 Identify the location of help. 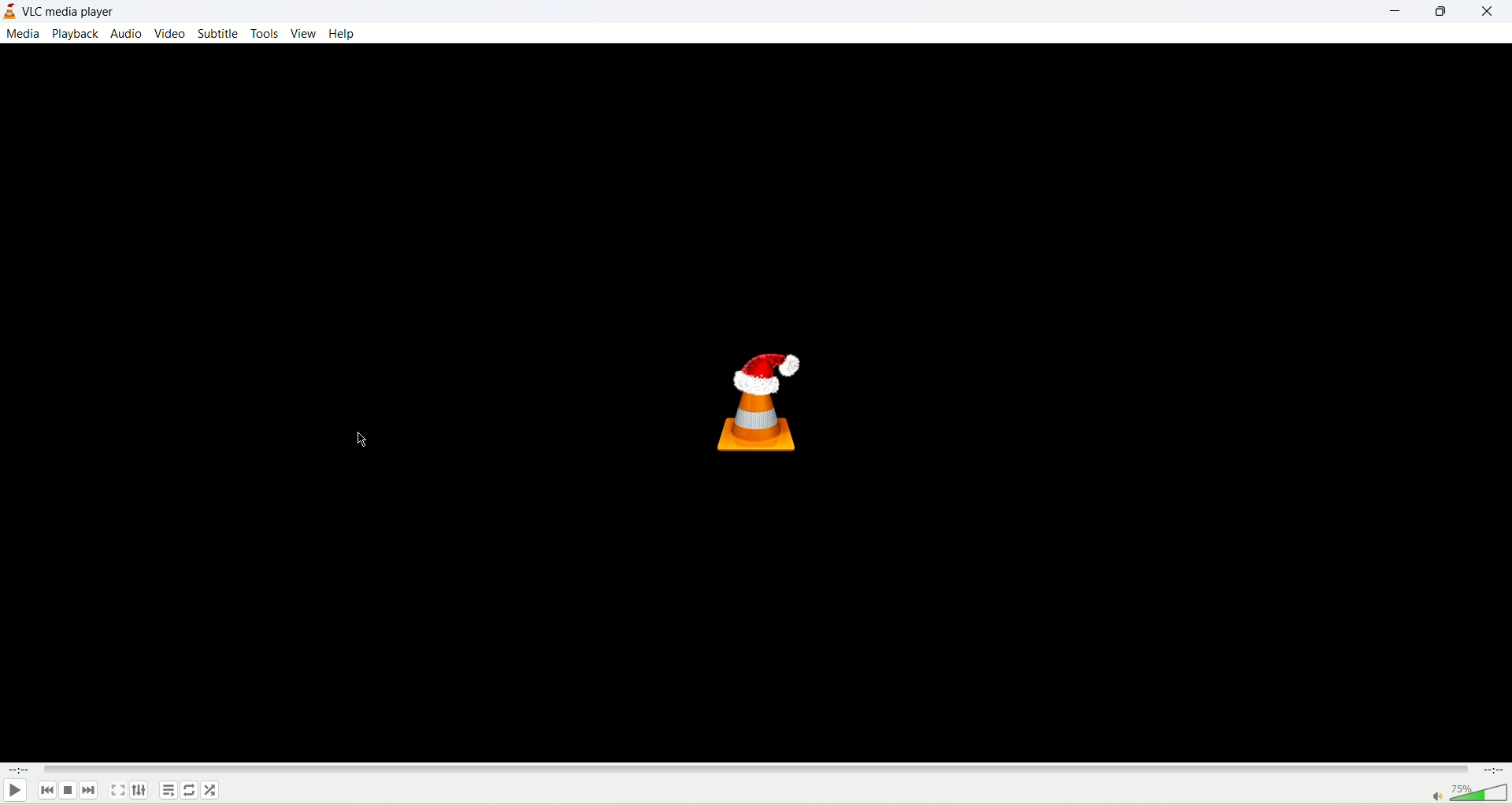
(343, 35).